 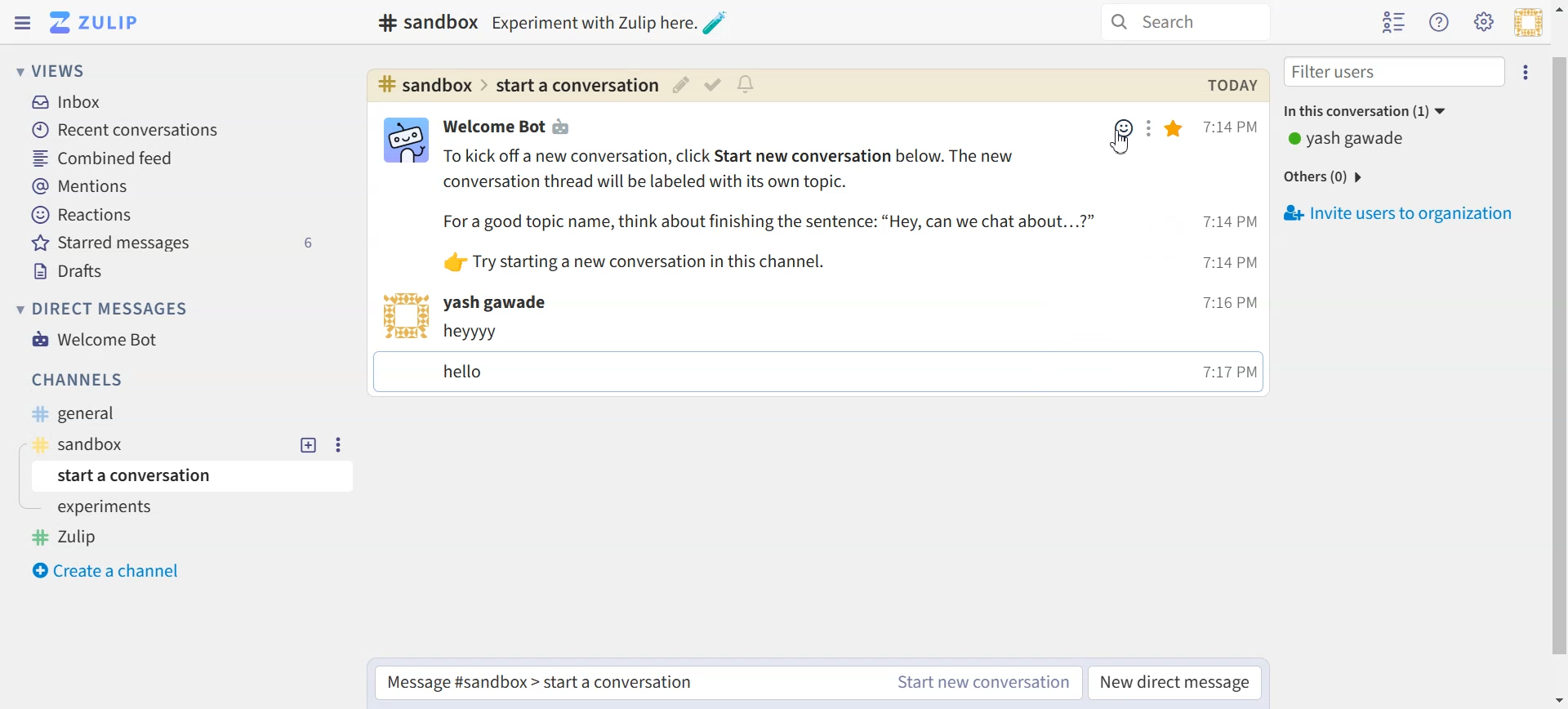 I want to click on Edit topic, so click(x=679, y=84).